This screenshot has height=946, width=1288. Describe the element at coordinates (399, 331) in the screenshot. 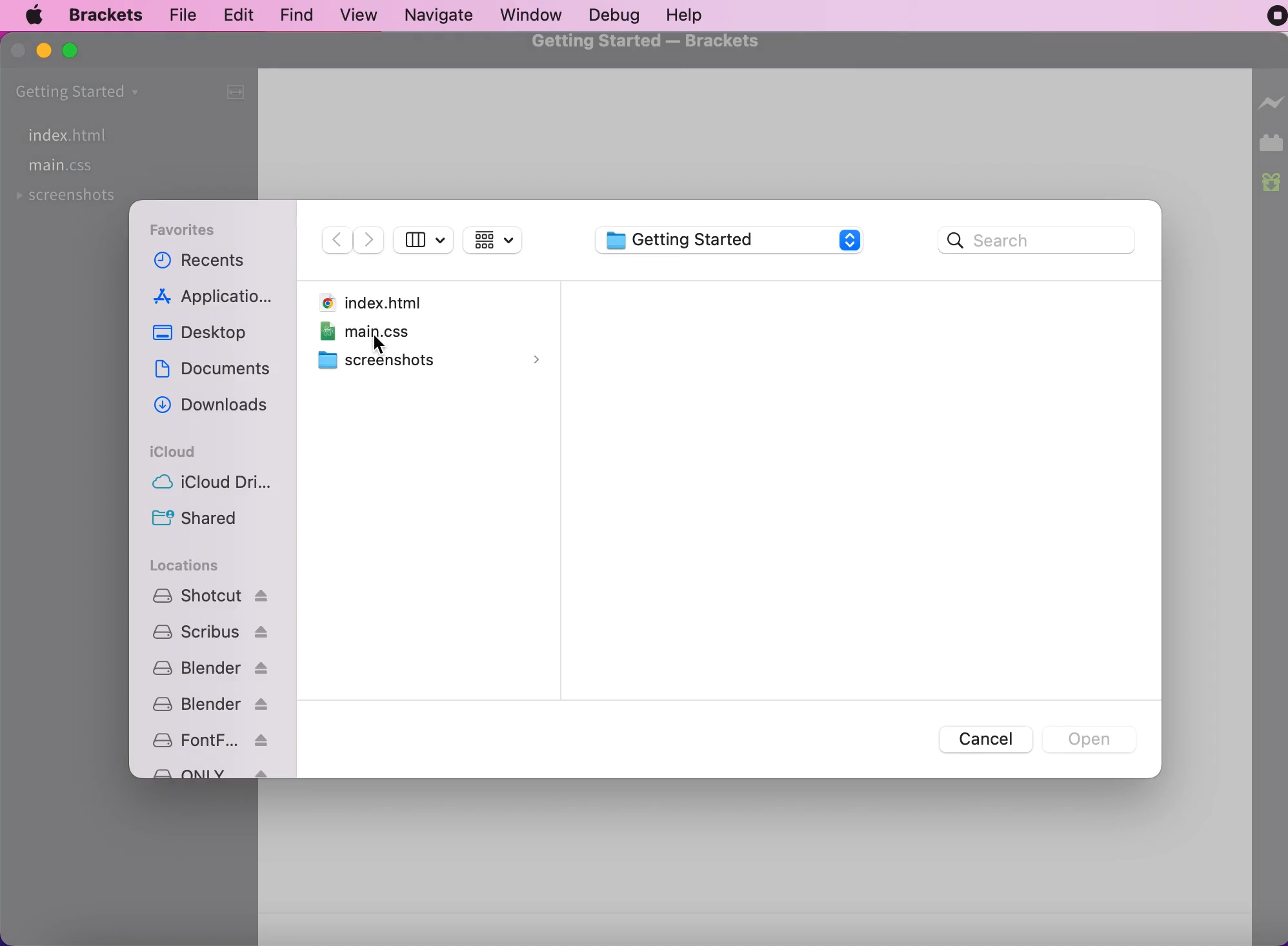

I see `main.css` at that location.